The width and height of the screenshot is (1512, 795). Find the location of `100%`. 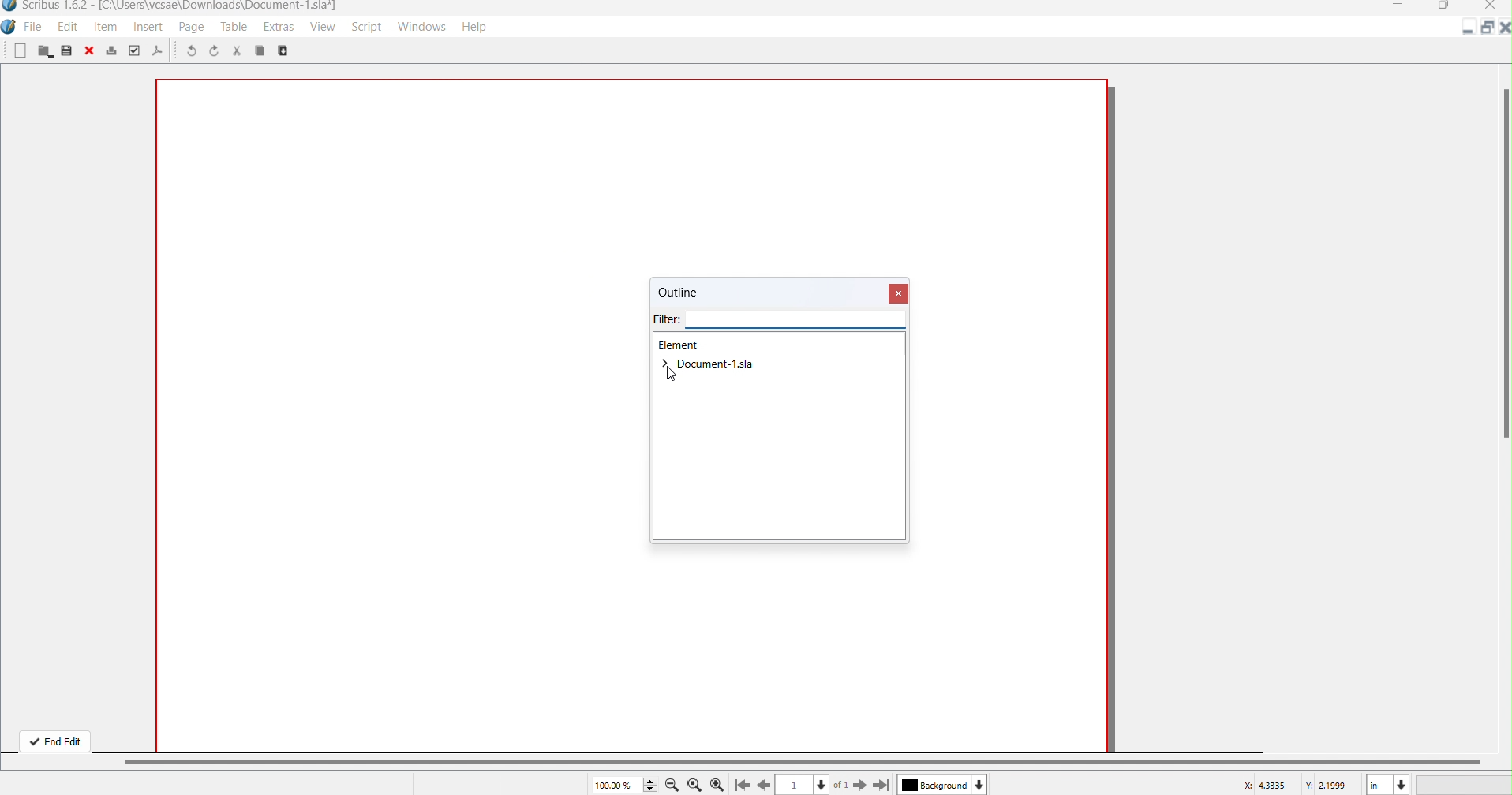

100% is located at coordinates (624, 784).